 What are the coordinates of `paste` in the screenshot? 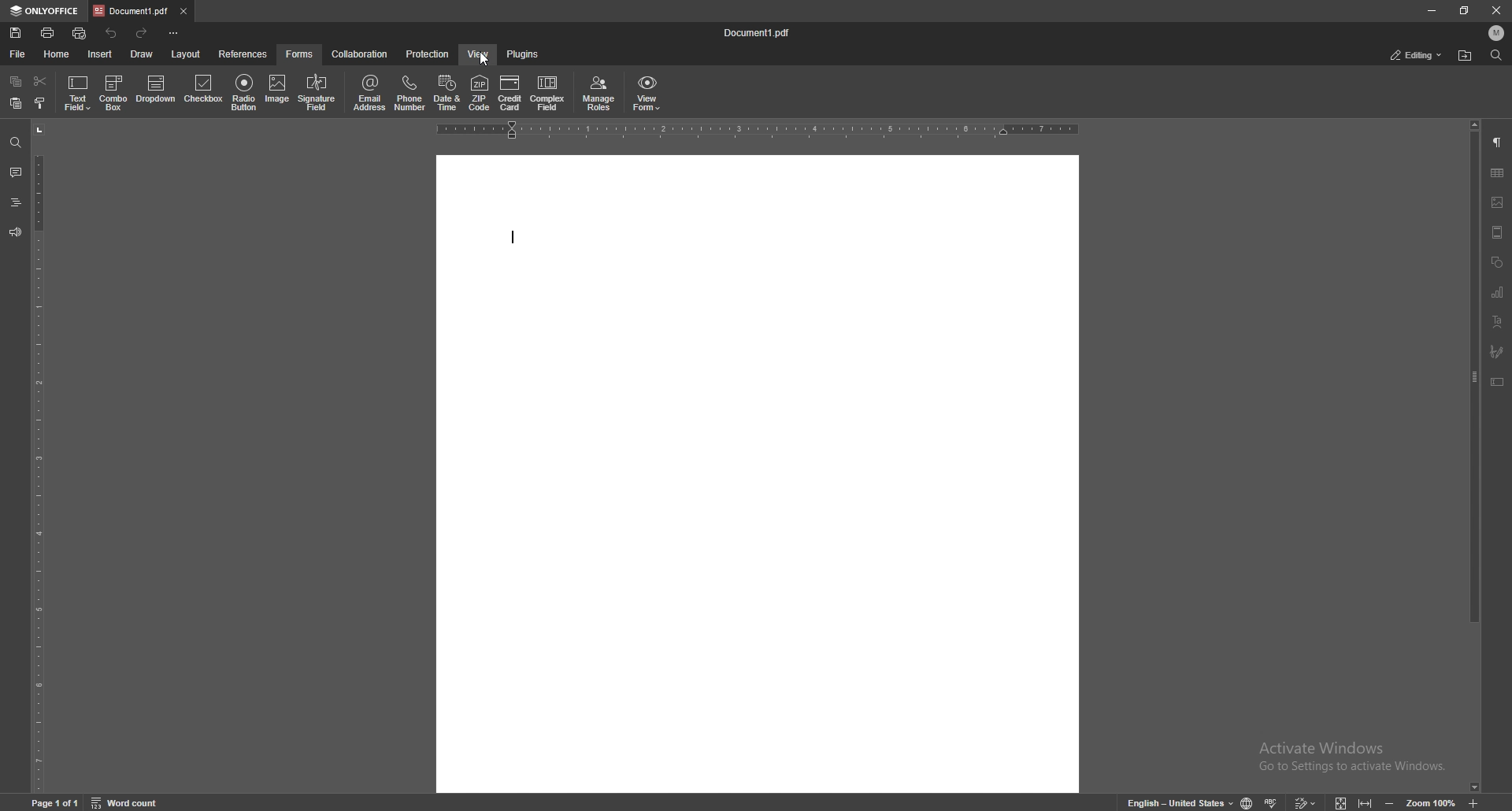 It's located at (16, 103).